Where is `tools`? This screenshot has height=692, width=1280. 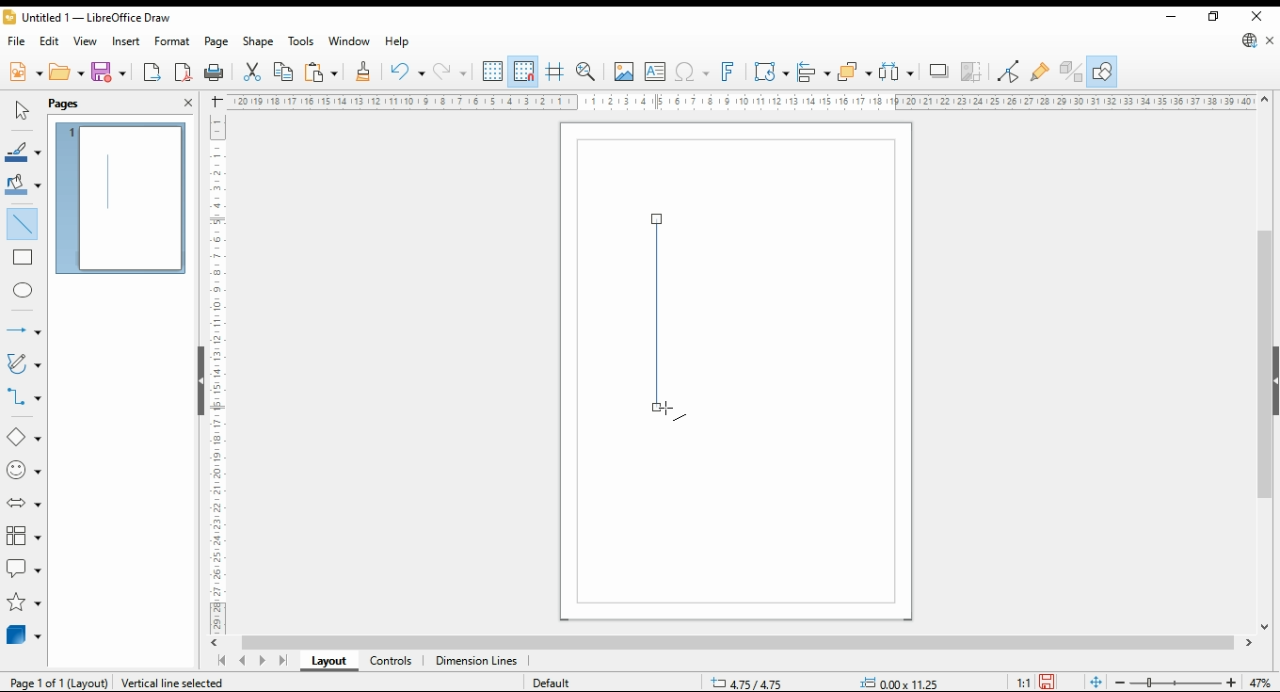 tools is located at coordinates (302, 42).